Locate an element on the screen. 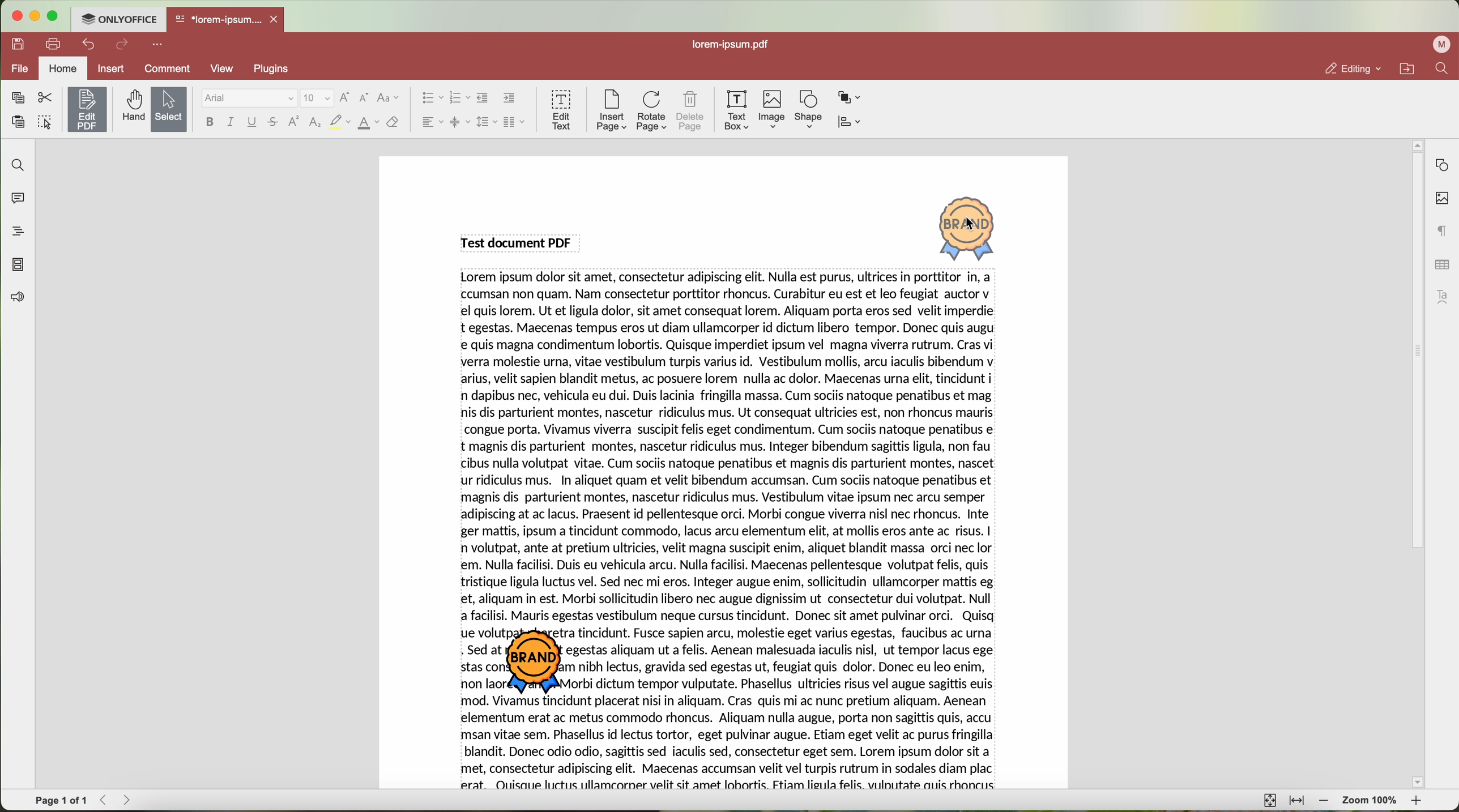 This screenshot has height=812, width=1459. increment font size is located at coordinates (344, 97).